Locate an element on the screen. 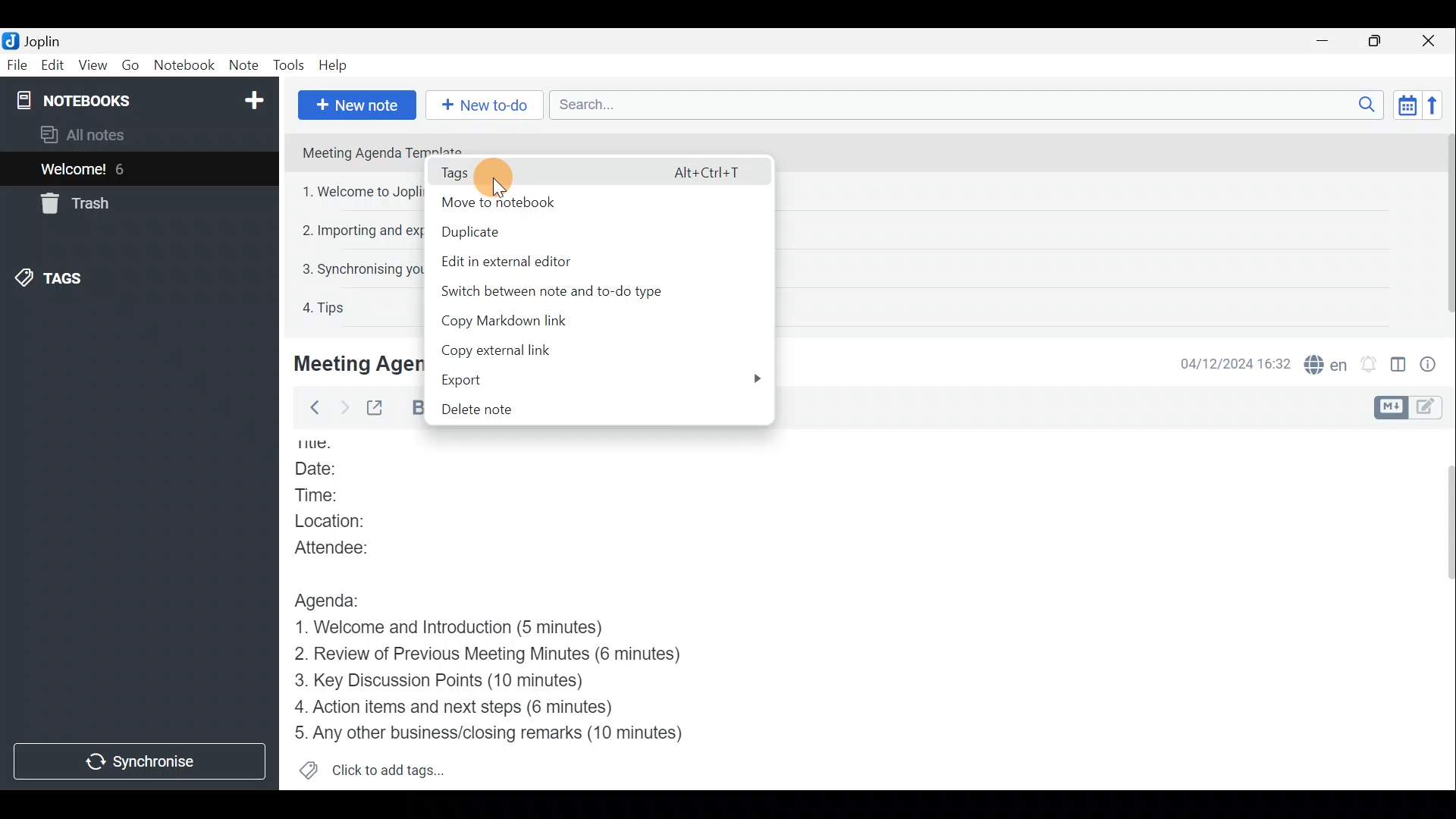 This screenshot has width=1456, height=819. Key Discussion Points (10 minutes) is located at coordinates (445, 682).